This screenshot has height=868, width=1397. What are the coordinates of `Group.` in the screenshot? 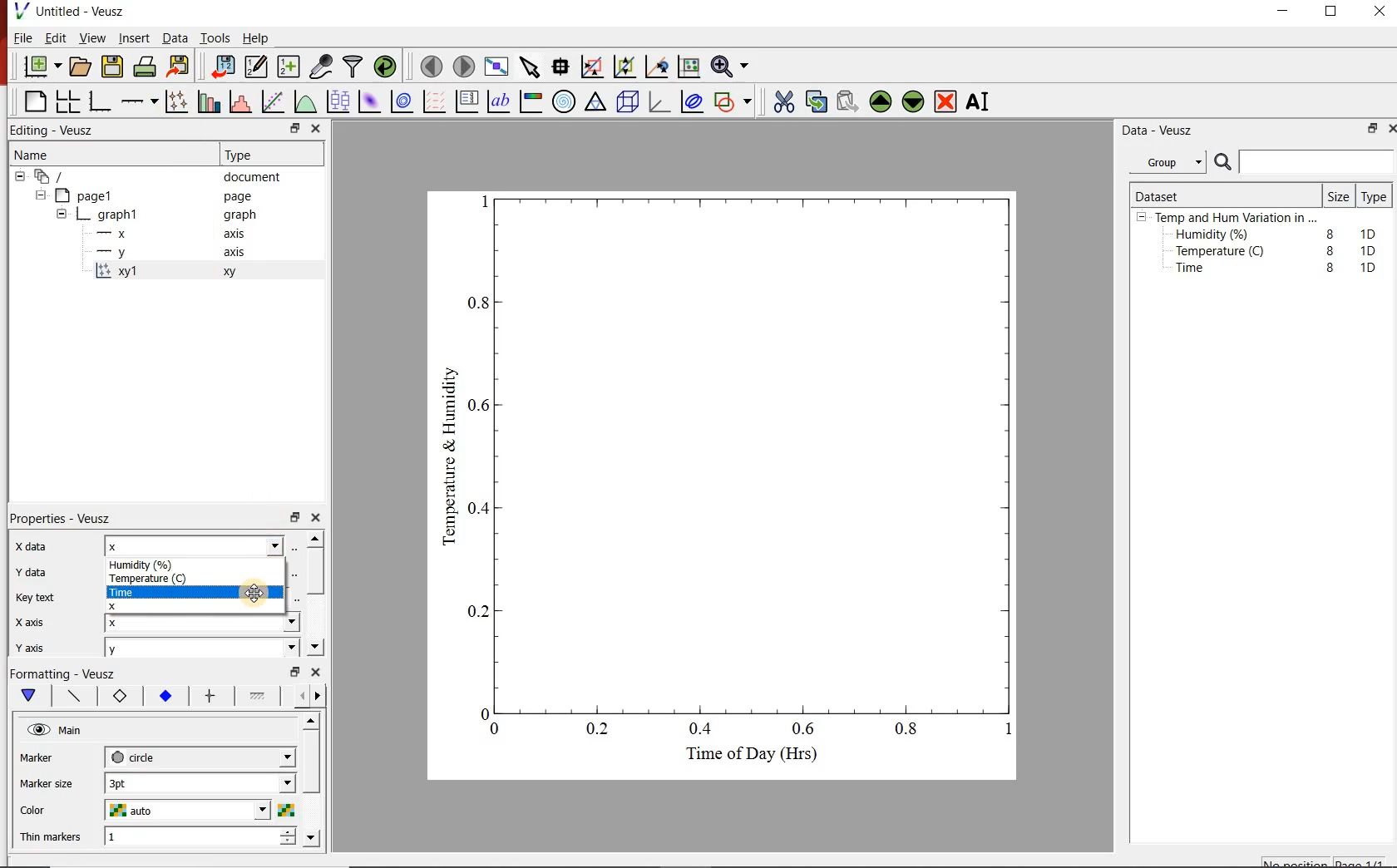 It's located at (1171, 159).